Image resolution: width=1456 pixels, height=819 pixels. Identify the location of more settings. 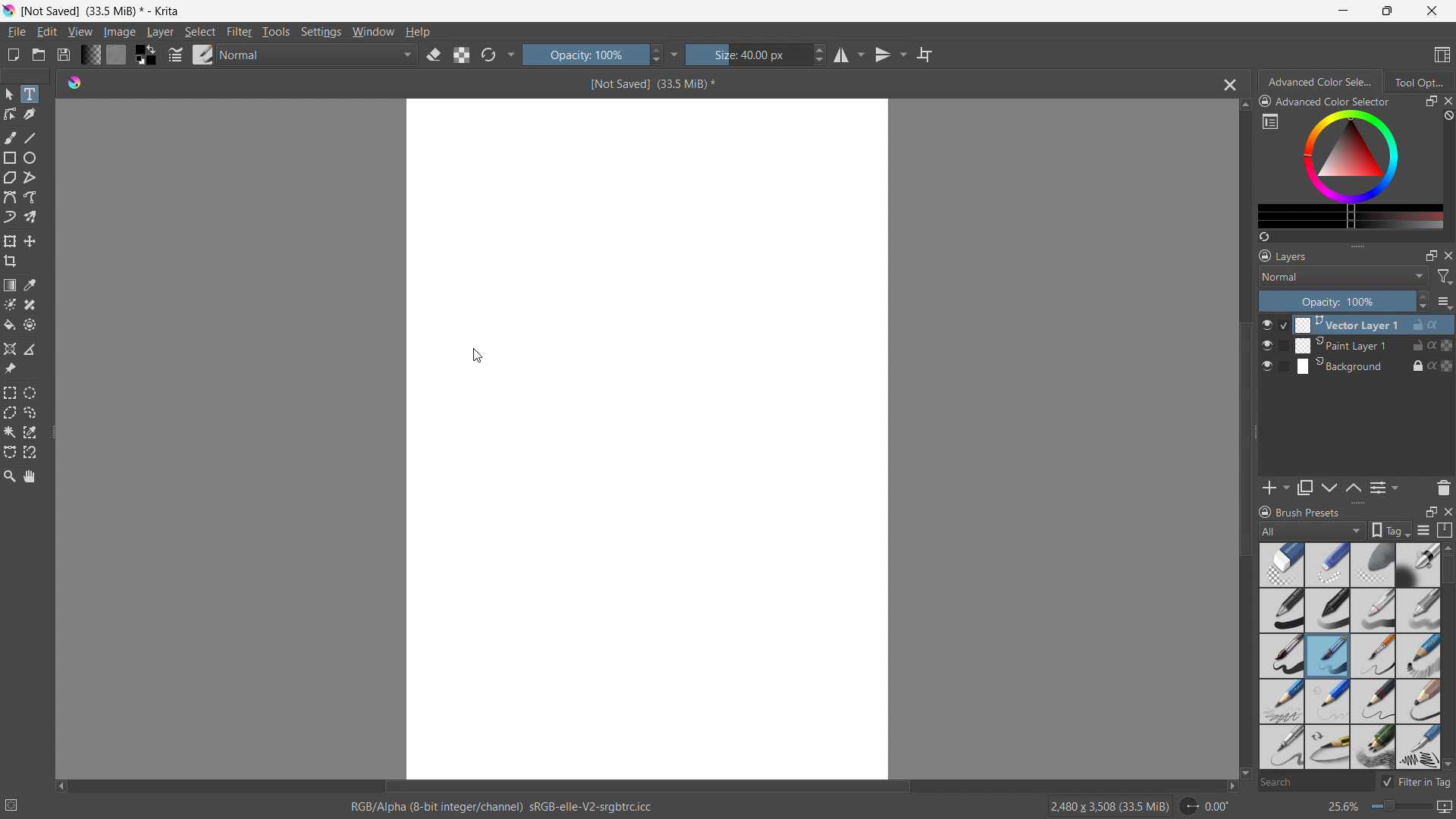
(675, 54).